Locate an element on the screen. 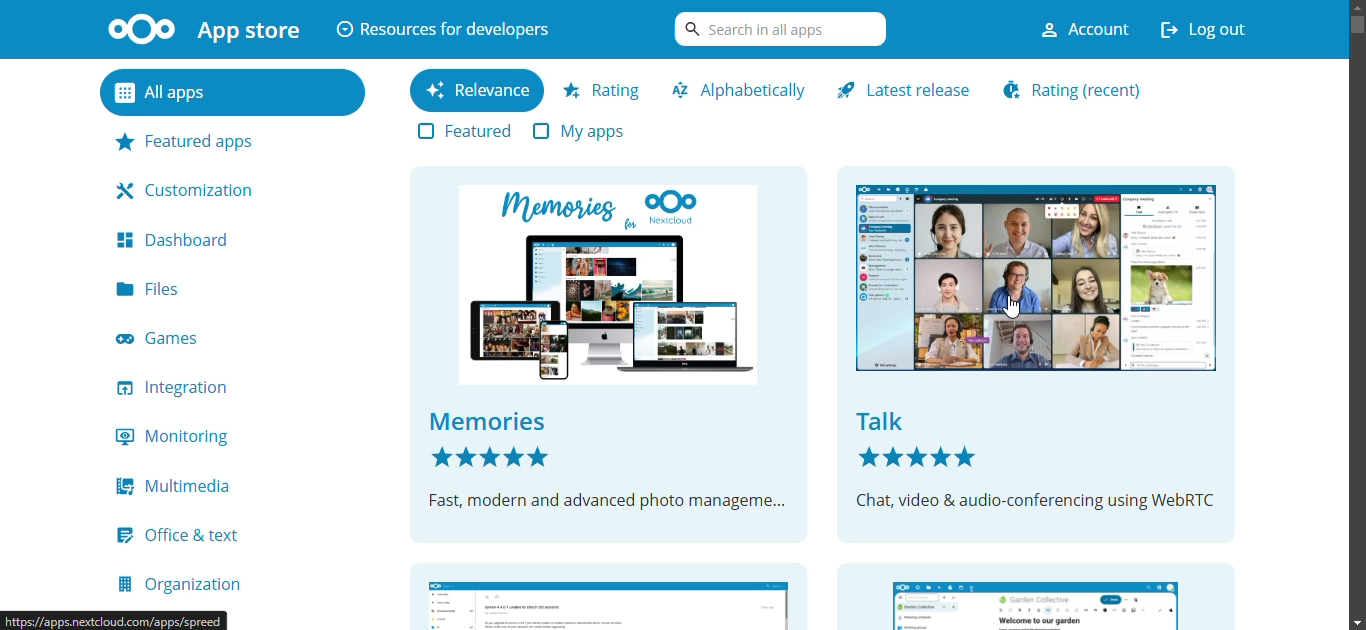  app interface is located at coordinates (611, 354).